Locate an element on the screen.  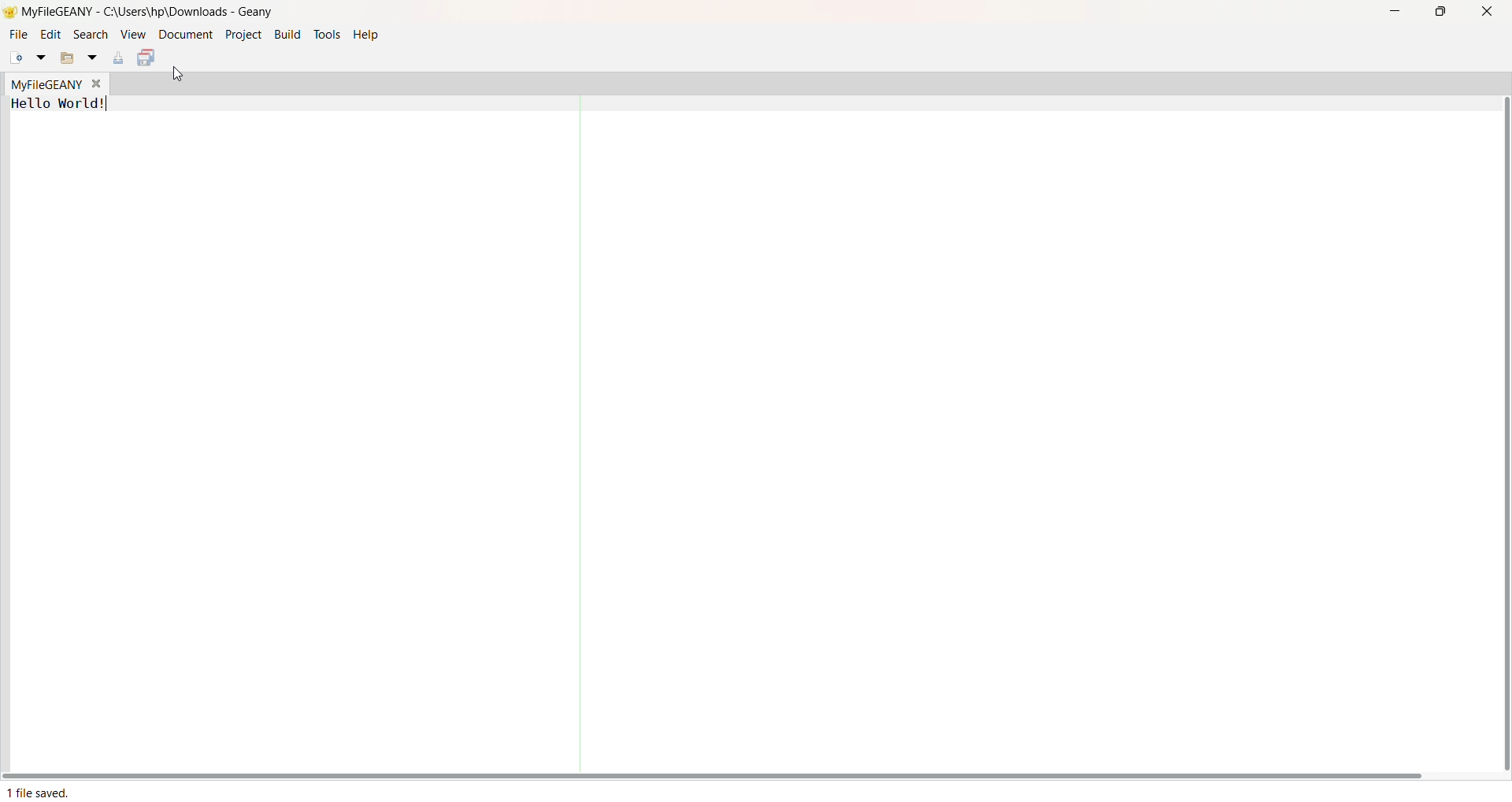
Document is located at coordinates (184, 35).